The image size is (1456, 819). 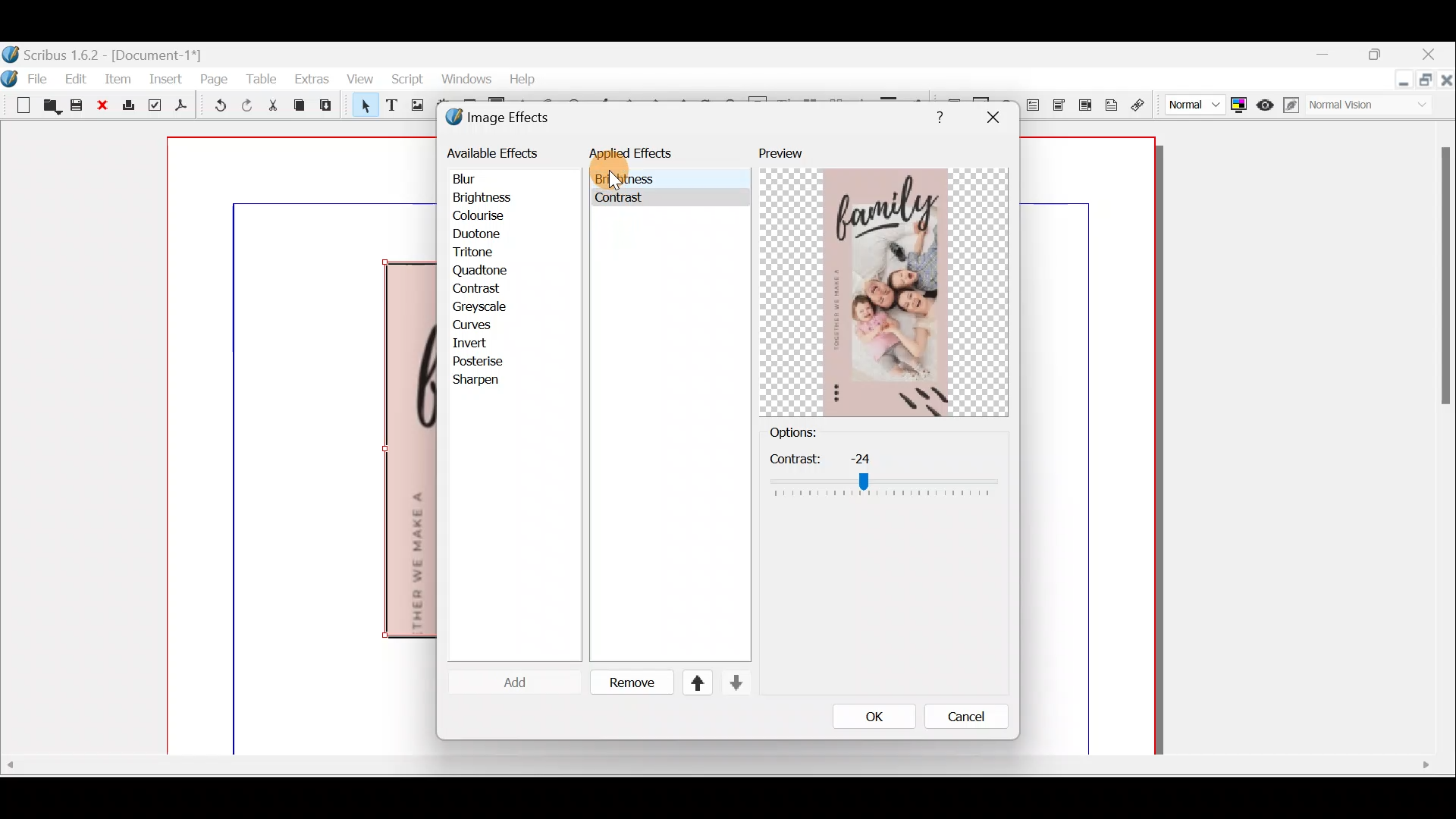 What do you see at coordinates (129, 106) in the screenshot?
I see `Print` at bounding box center [129, 106].